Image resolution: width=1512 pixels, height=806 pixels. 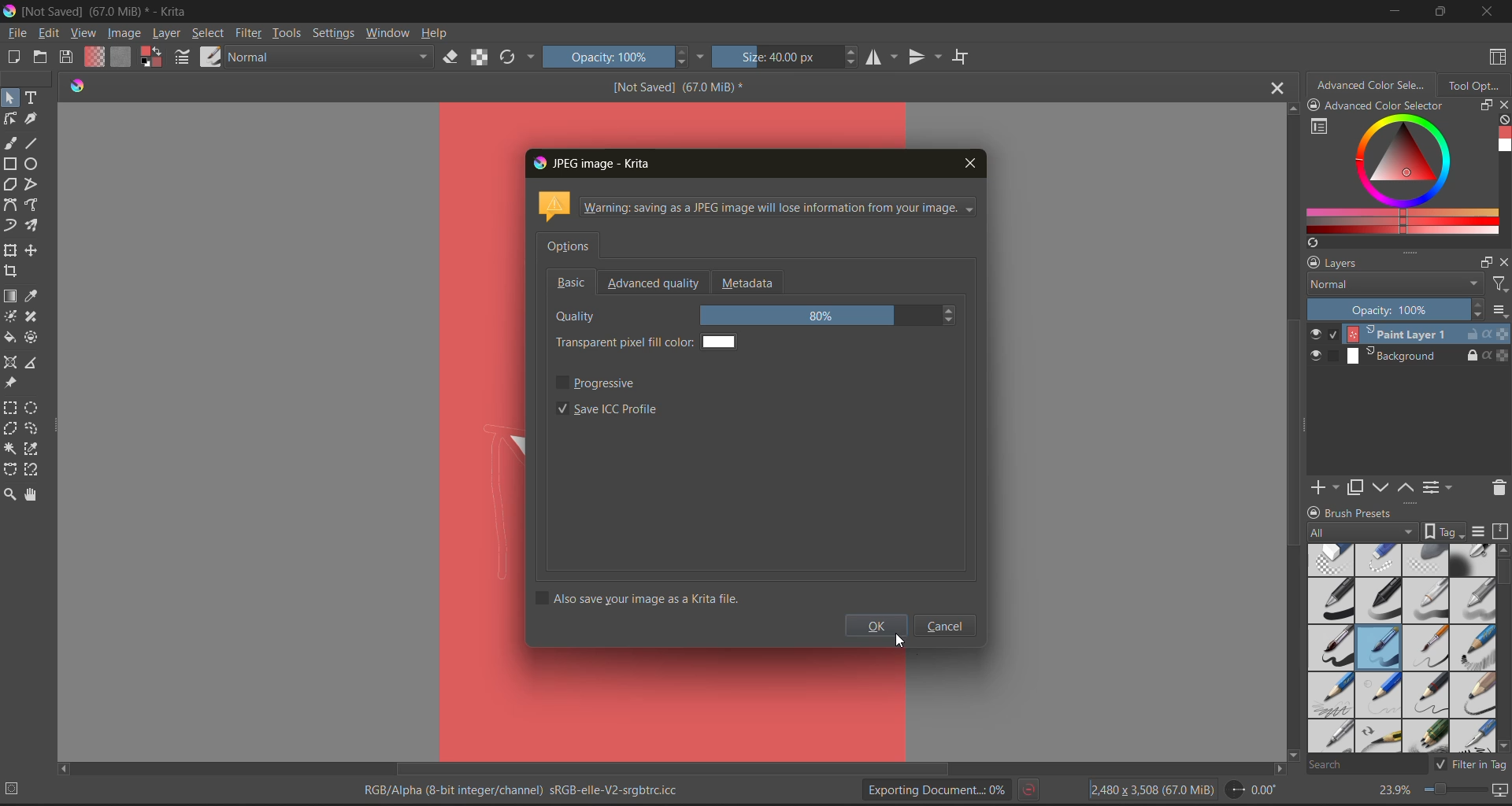 What do you see at coordinates (676, 768) in the screenshot?
I see `horizontal scroll bar` at bounding box center [676, 768].